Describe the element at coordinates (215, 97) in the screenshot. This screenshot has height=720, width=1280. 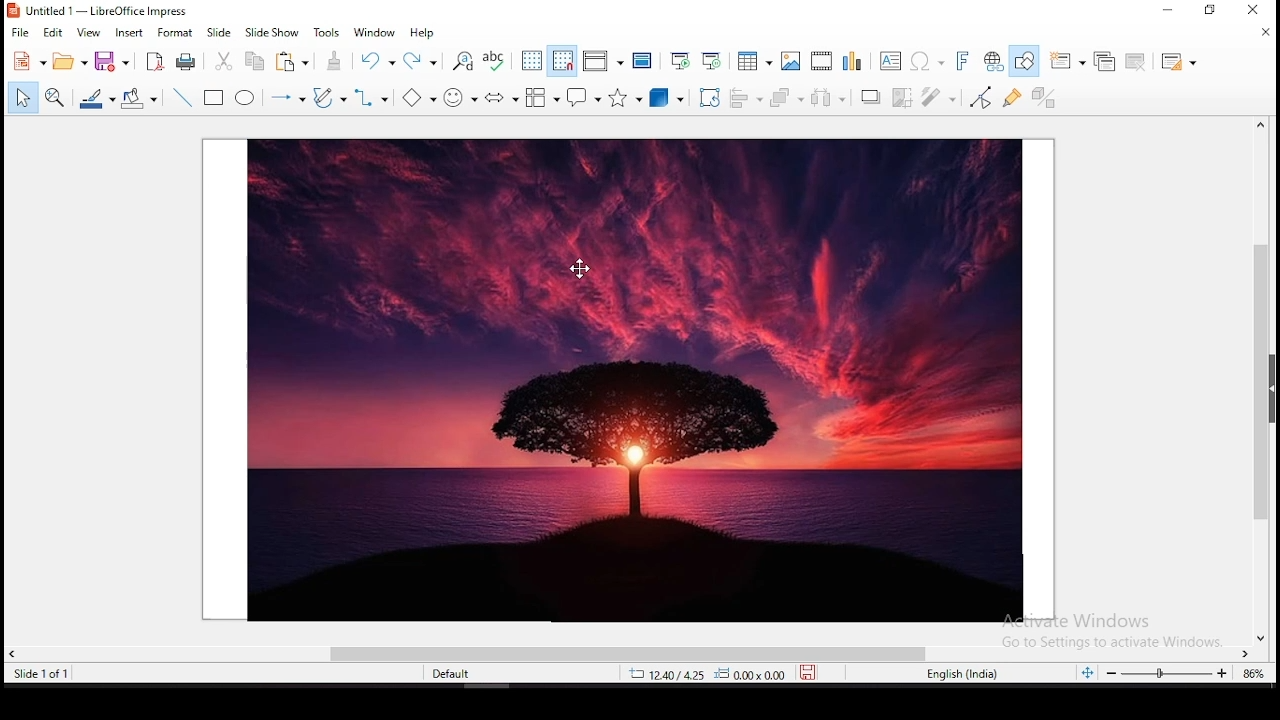
I see `rectangle tool` at that location.